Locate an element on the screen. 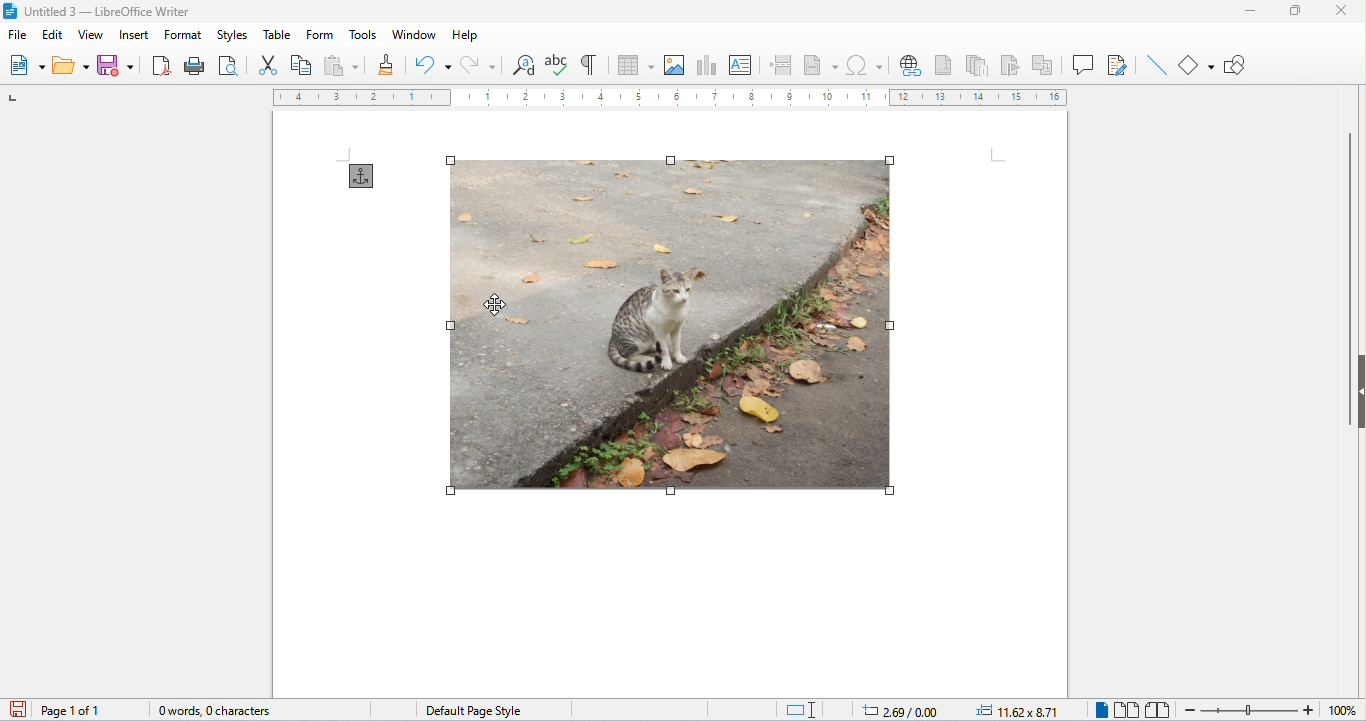  anchor is located at coordinates (362, 176).